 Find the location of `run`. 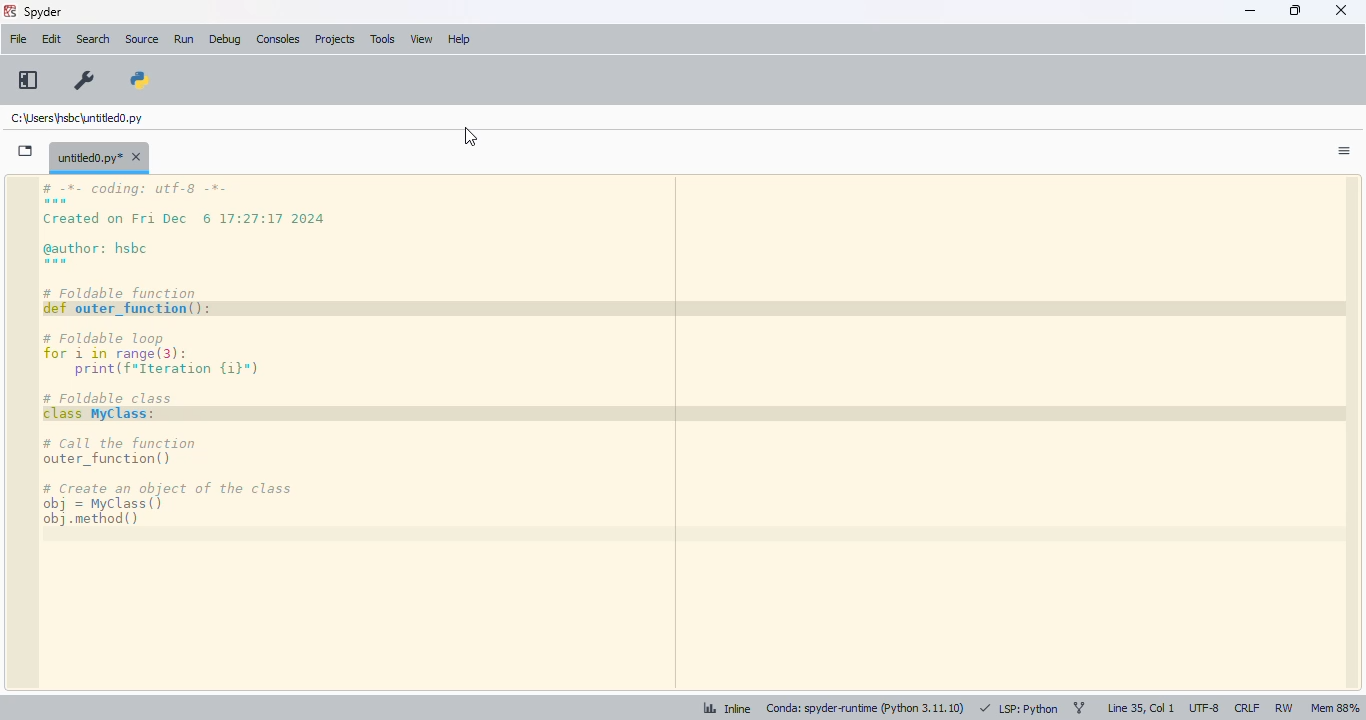

run is located at coordinates (184, 39).